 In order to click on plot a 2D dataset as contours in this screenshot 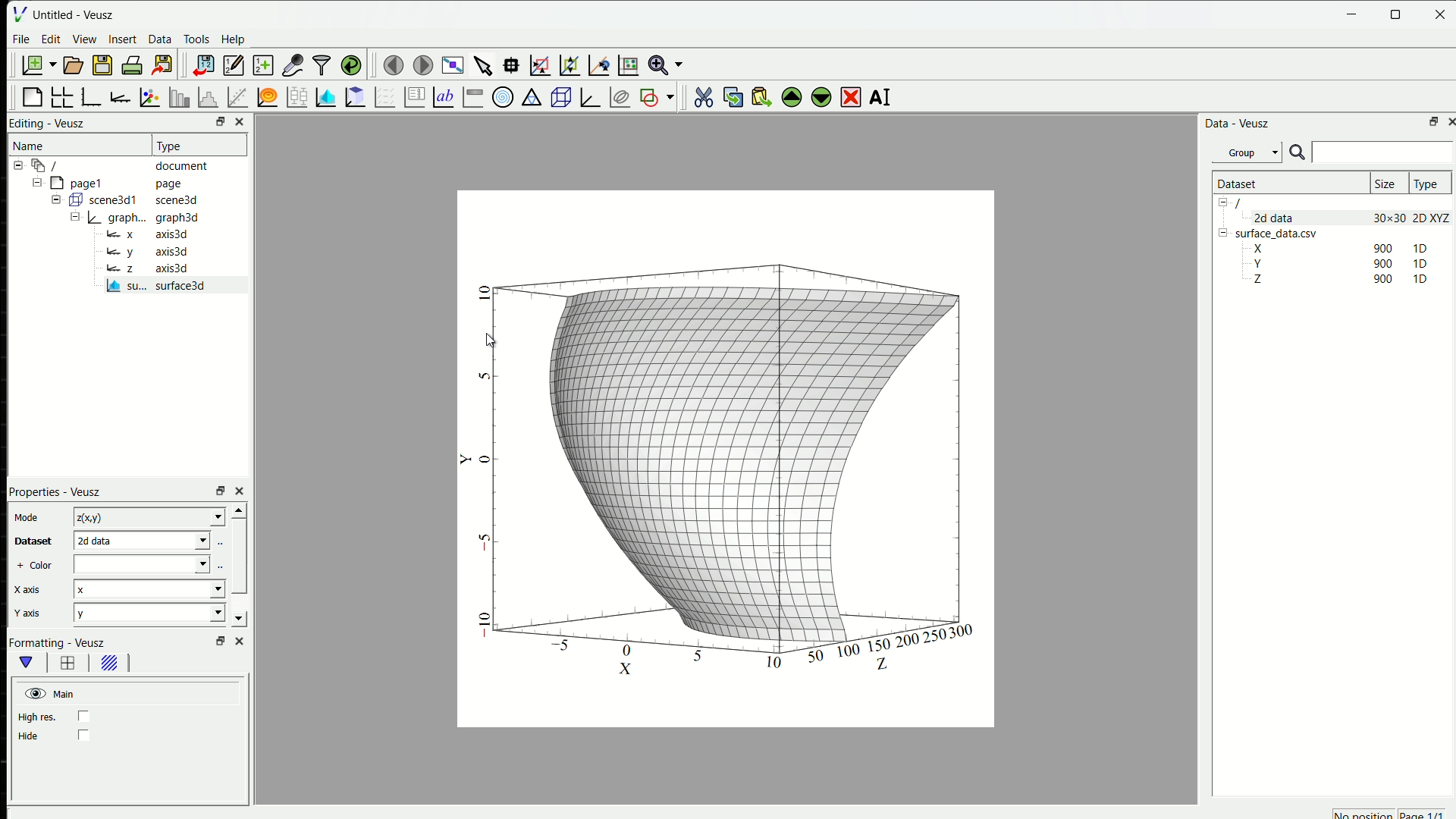, I will do `click(356, 96)`.